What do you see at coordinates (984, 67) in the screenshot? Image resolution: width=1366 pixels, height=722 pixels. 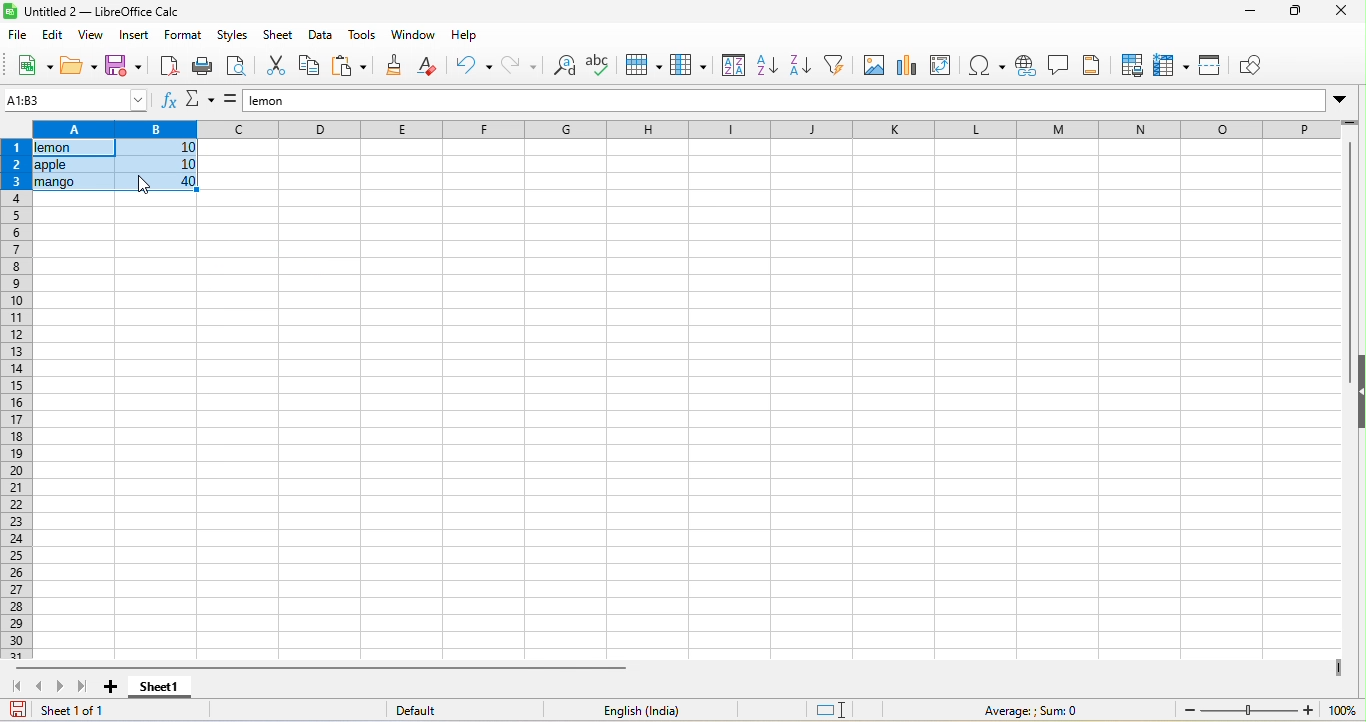 I see `special character` at bounding box center [984, 67].